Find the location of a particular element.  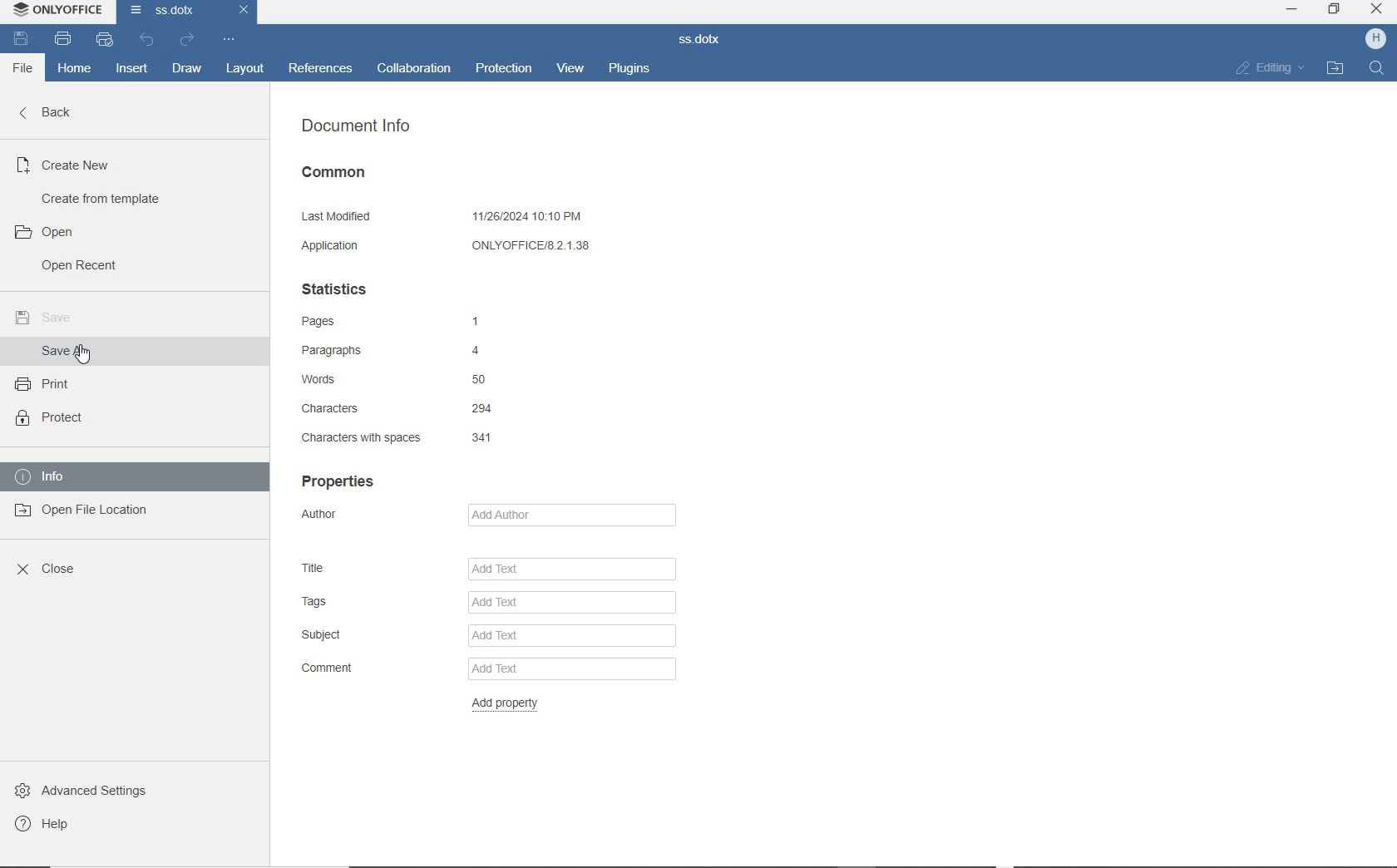

FILE is located at coordinates (25, 69).